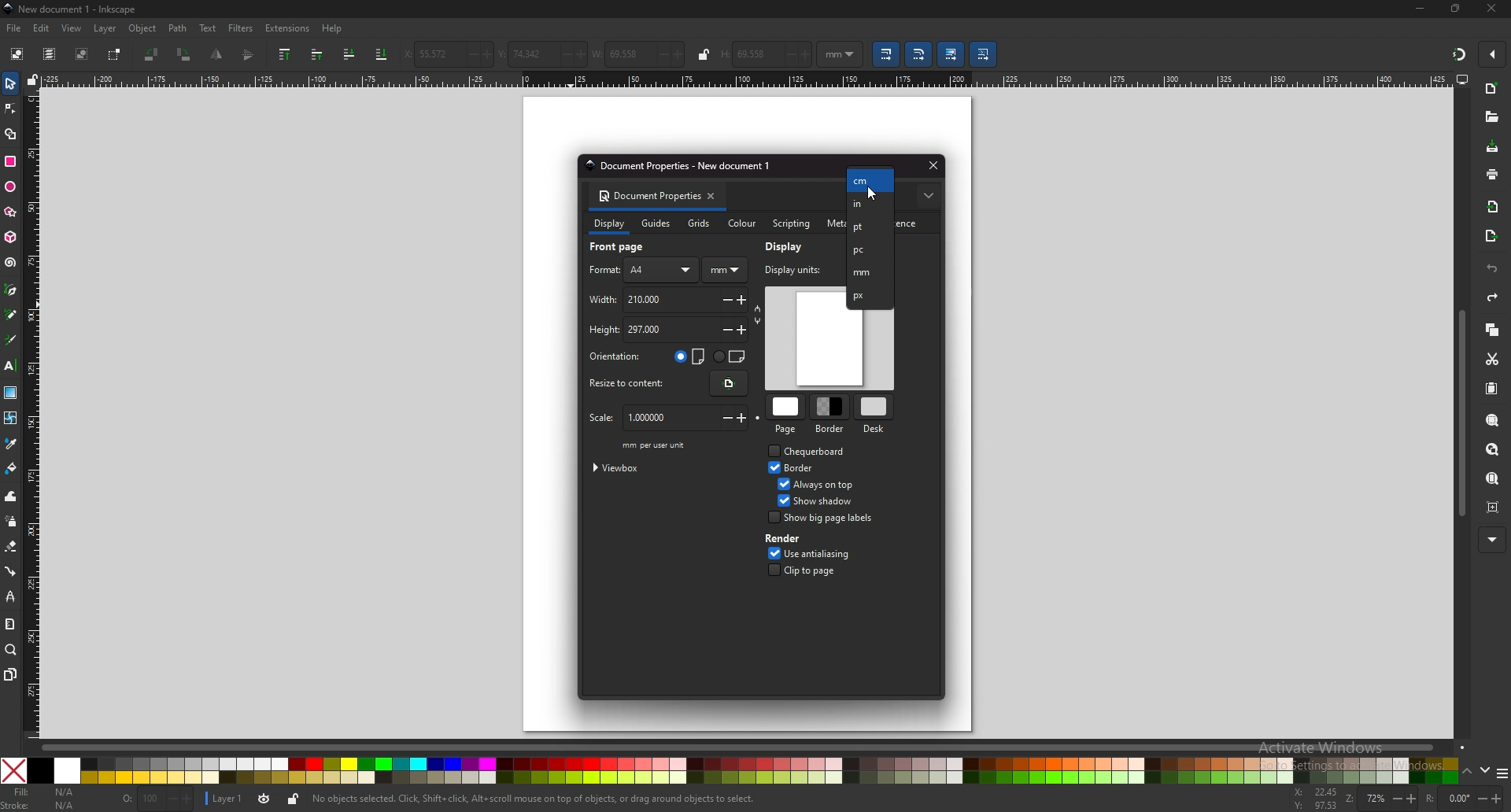  Describe the element at coordinates (787, 416) in the screenshot. I see `page` at that location.